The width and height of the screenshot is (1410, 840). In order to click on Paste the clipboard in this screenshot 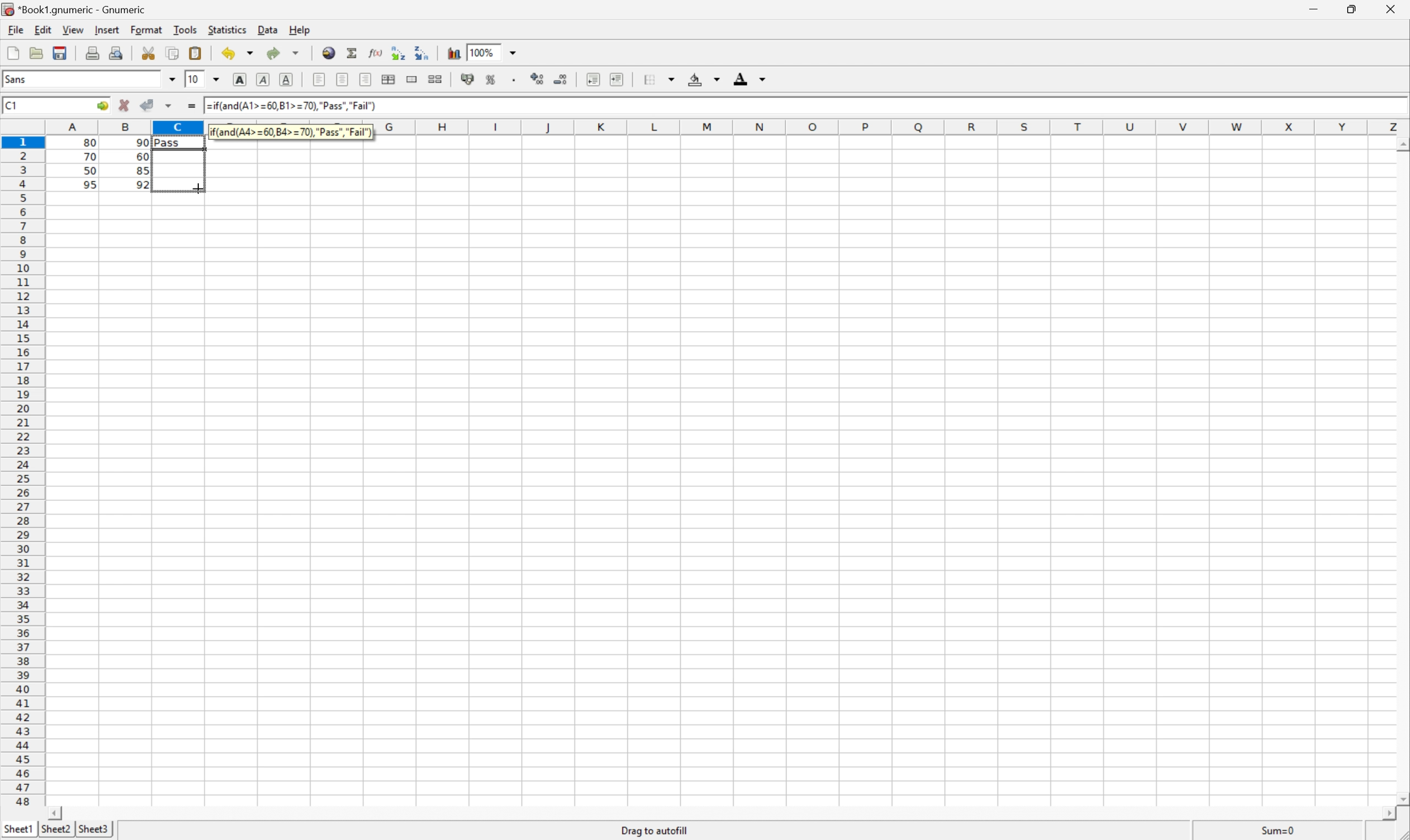, I will do `click(196, 54)`.